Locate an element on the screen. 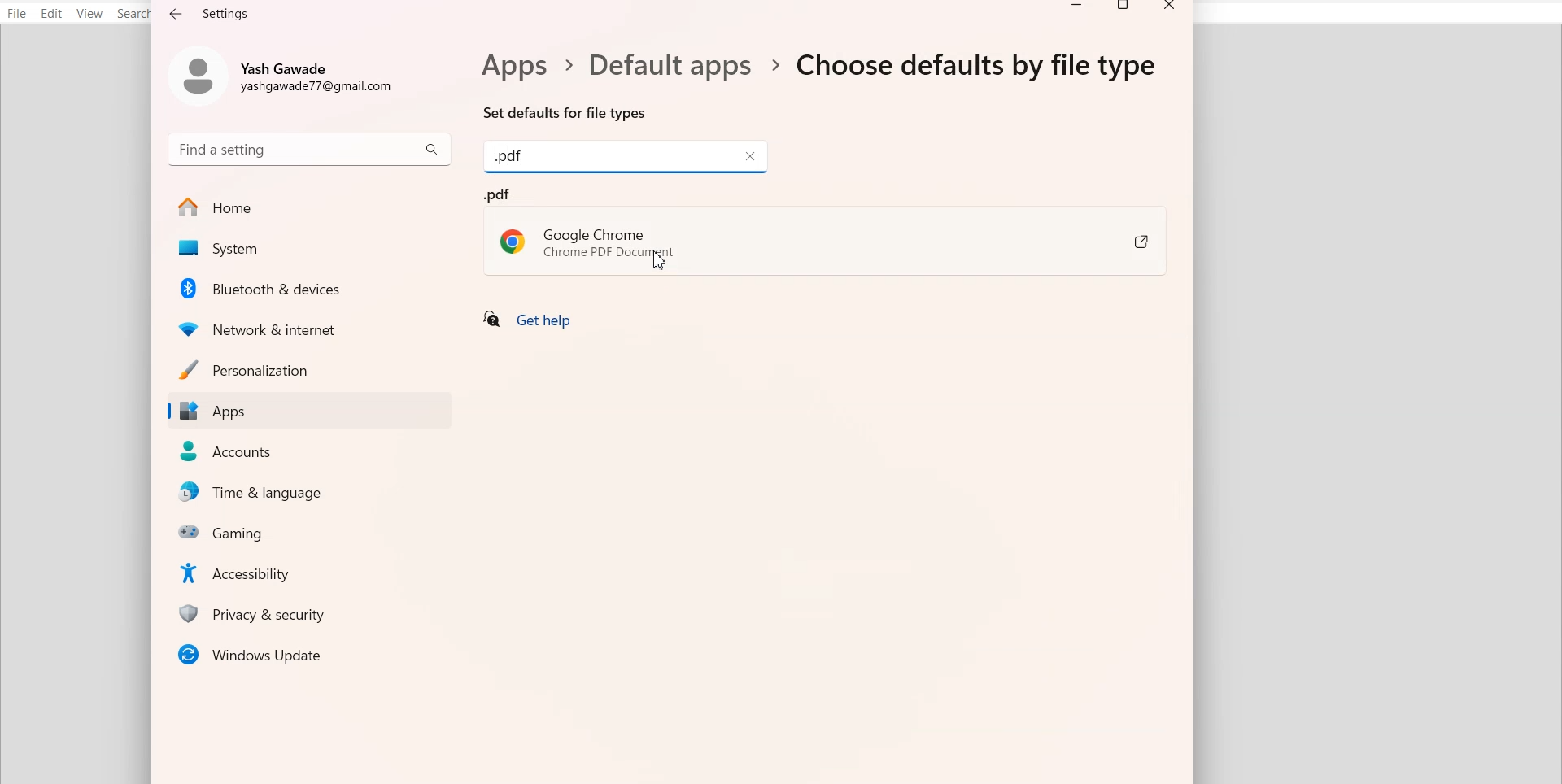 This screenshot has width=1562, height=784. Bluetooth & Devices is located at coordinates (312, 288).